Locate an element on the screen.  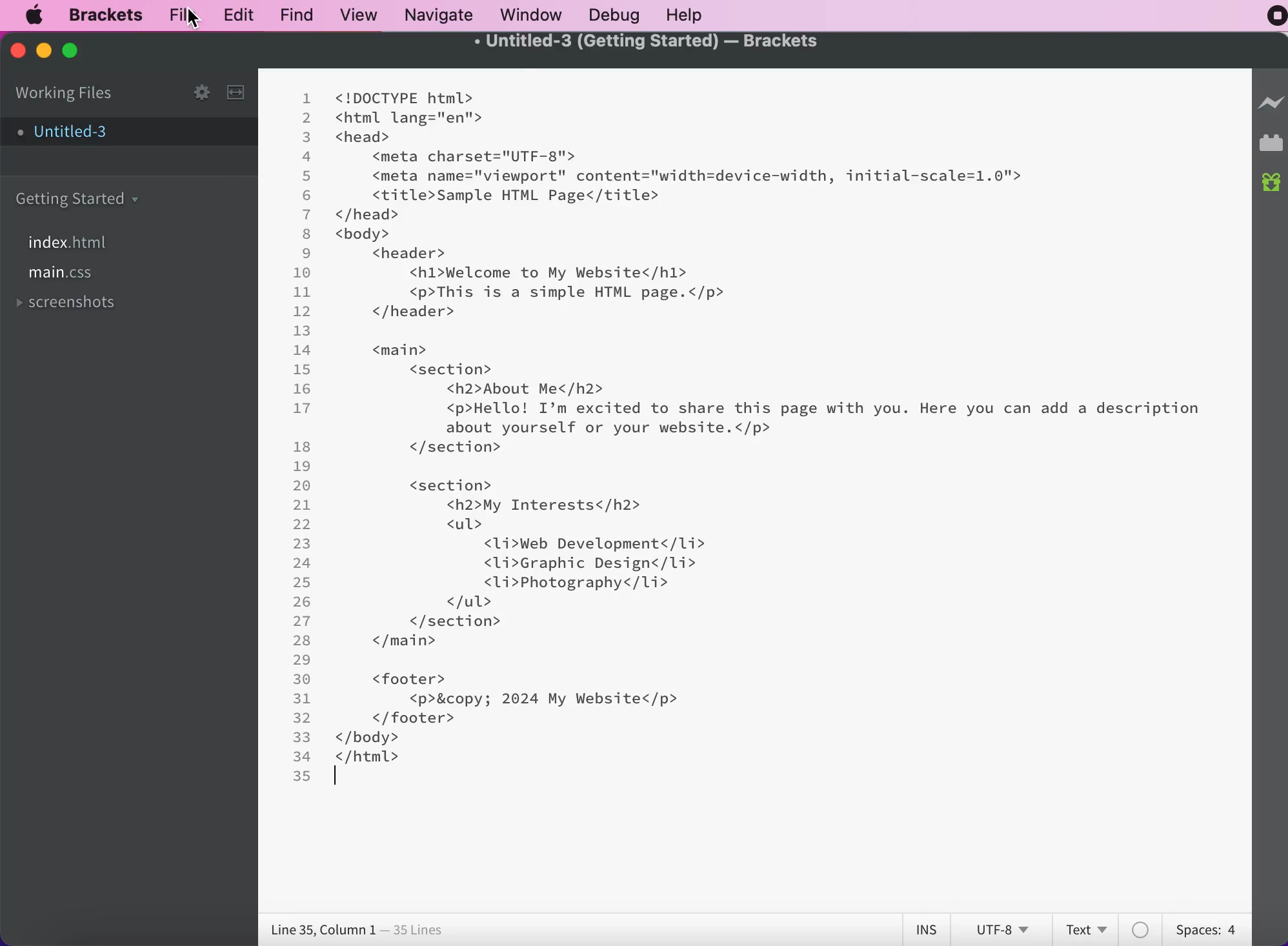
Untitled-3 (getting started)-Brackets is located at coordinates (647, 43).